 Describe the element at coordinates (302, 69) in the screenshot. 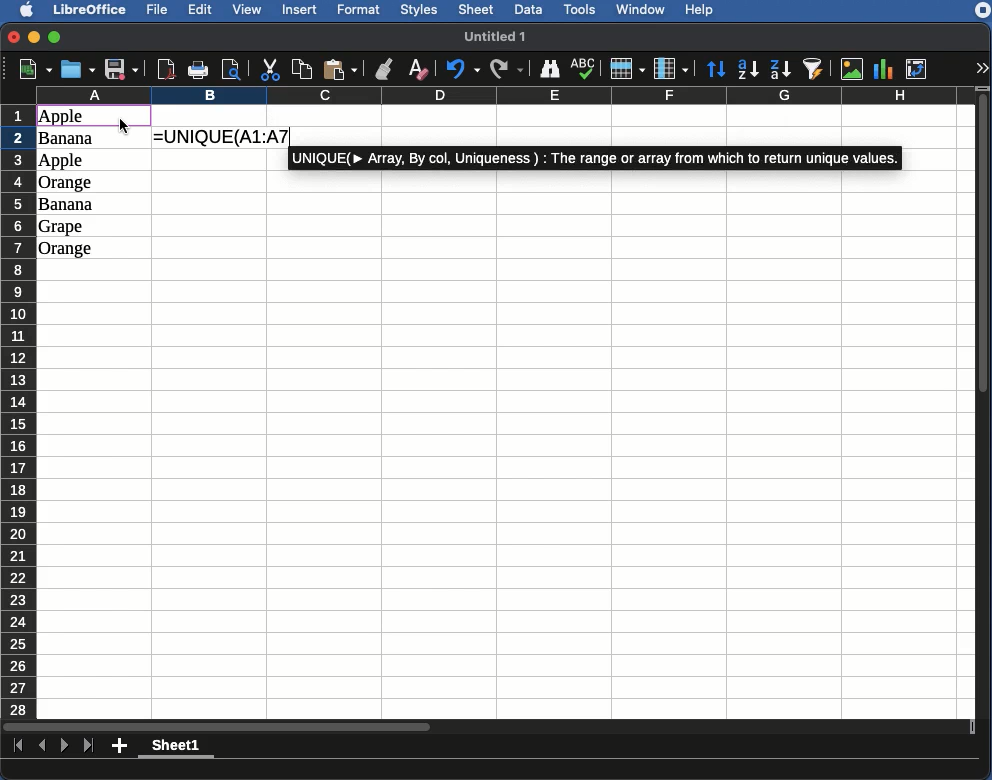

I see `Copy` at that location.